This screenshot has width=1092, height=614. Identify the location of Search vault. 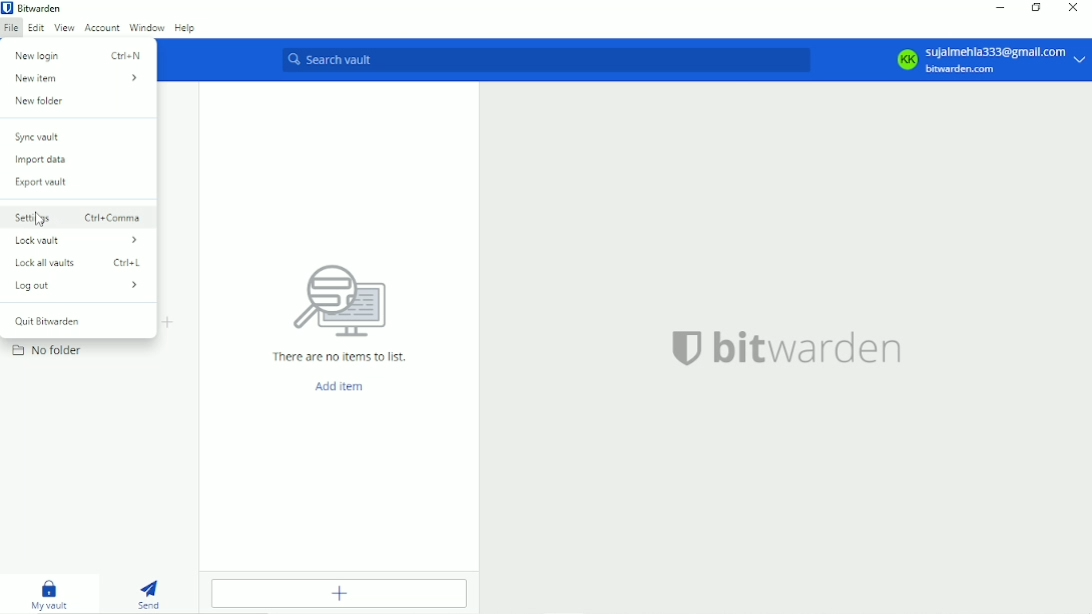
(546, 59).